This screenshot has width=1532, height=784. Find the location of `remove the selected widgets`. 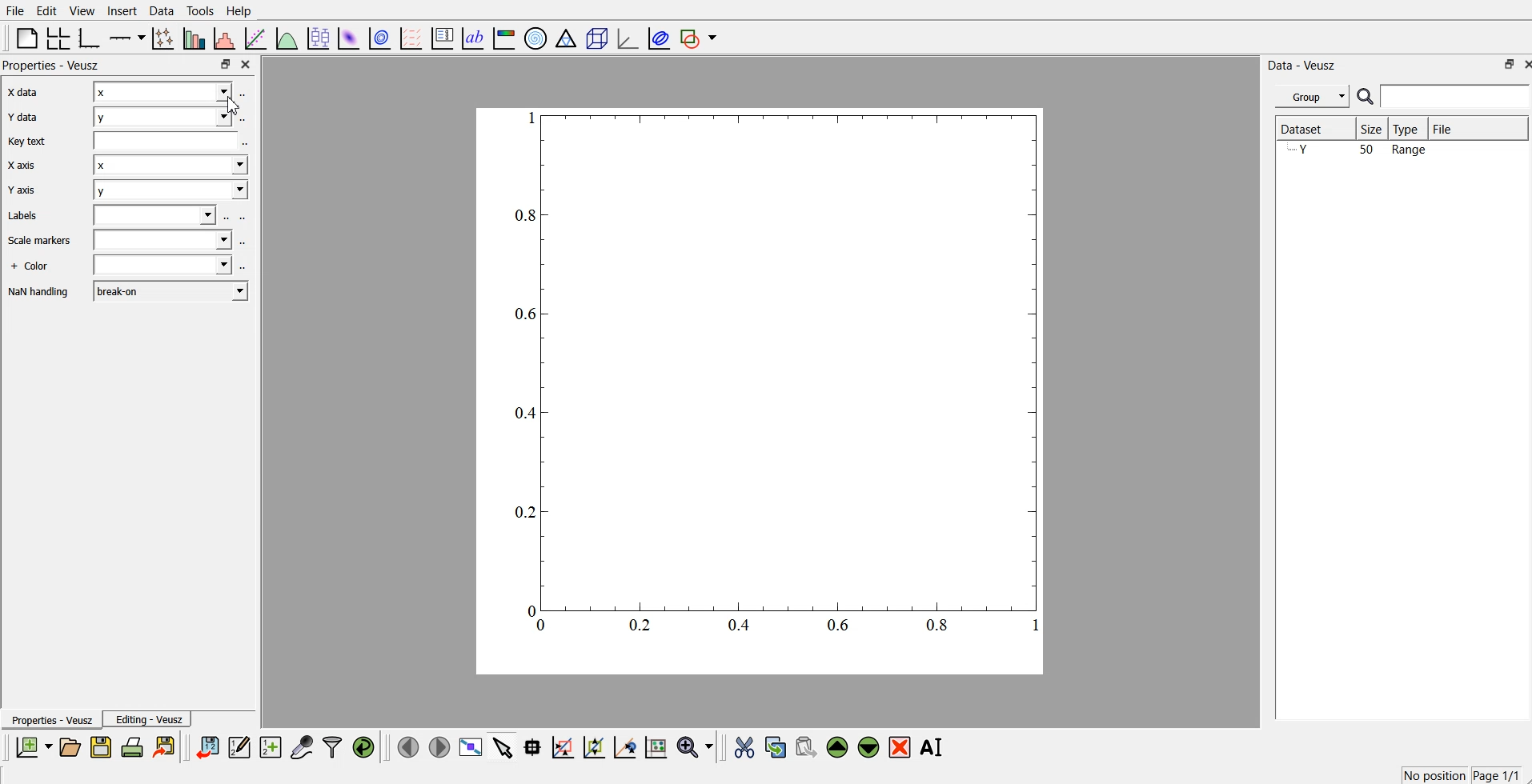

remove the selected widgets is located at coordinates (900, 748).